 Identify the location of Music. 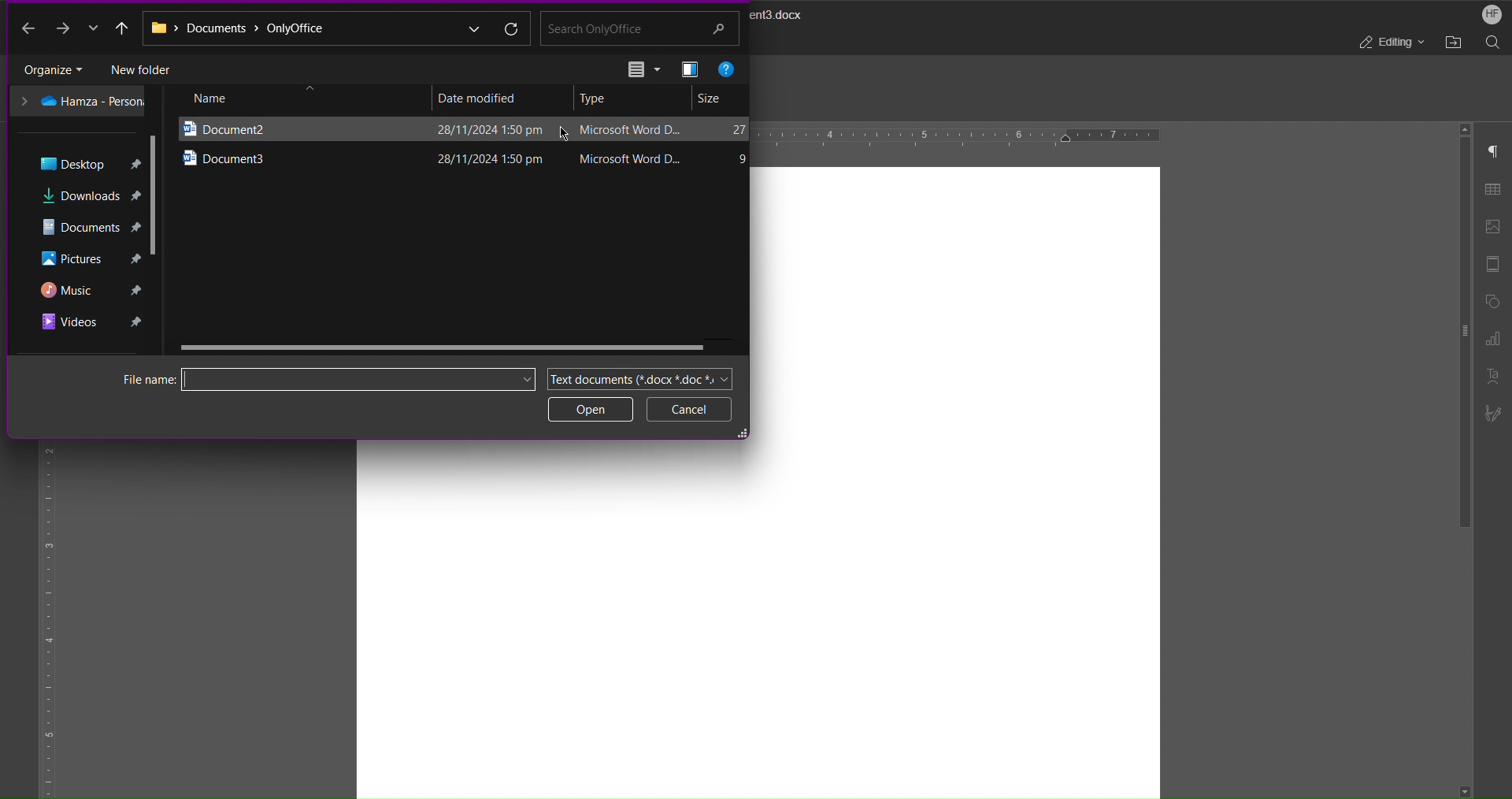
(93, 288).